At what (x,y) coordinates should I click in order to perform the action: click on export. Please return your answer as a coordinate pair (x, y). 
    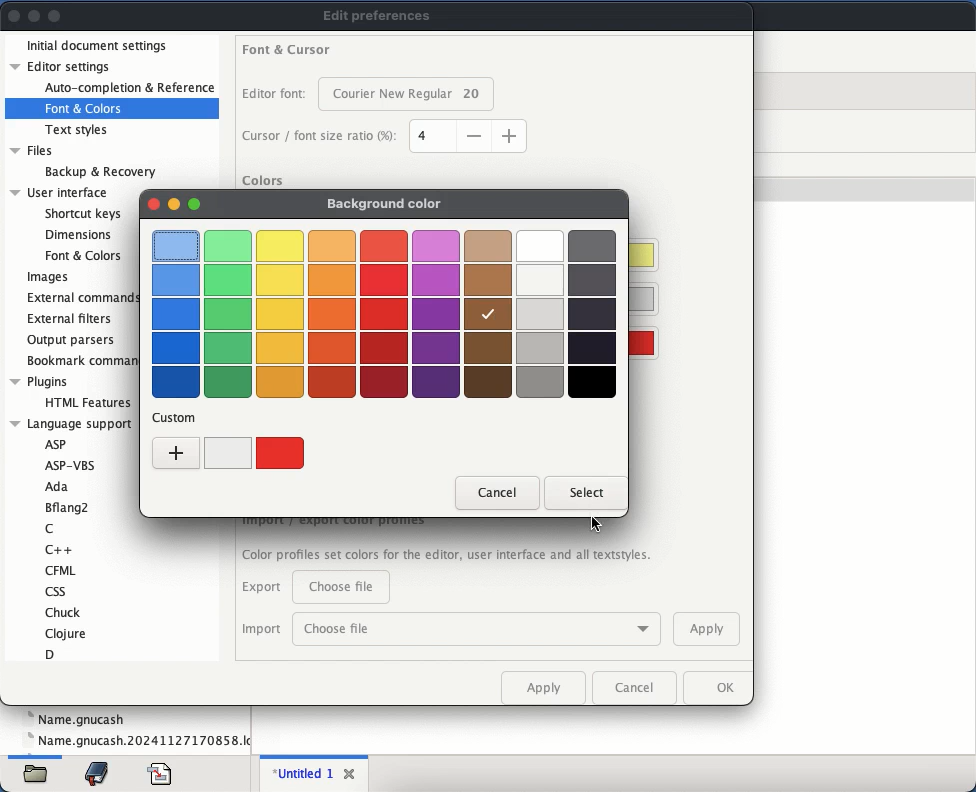
    Looking at the image, I should click on (262, 586).